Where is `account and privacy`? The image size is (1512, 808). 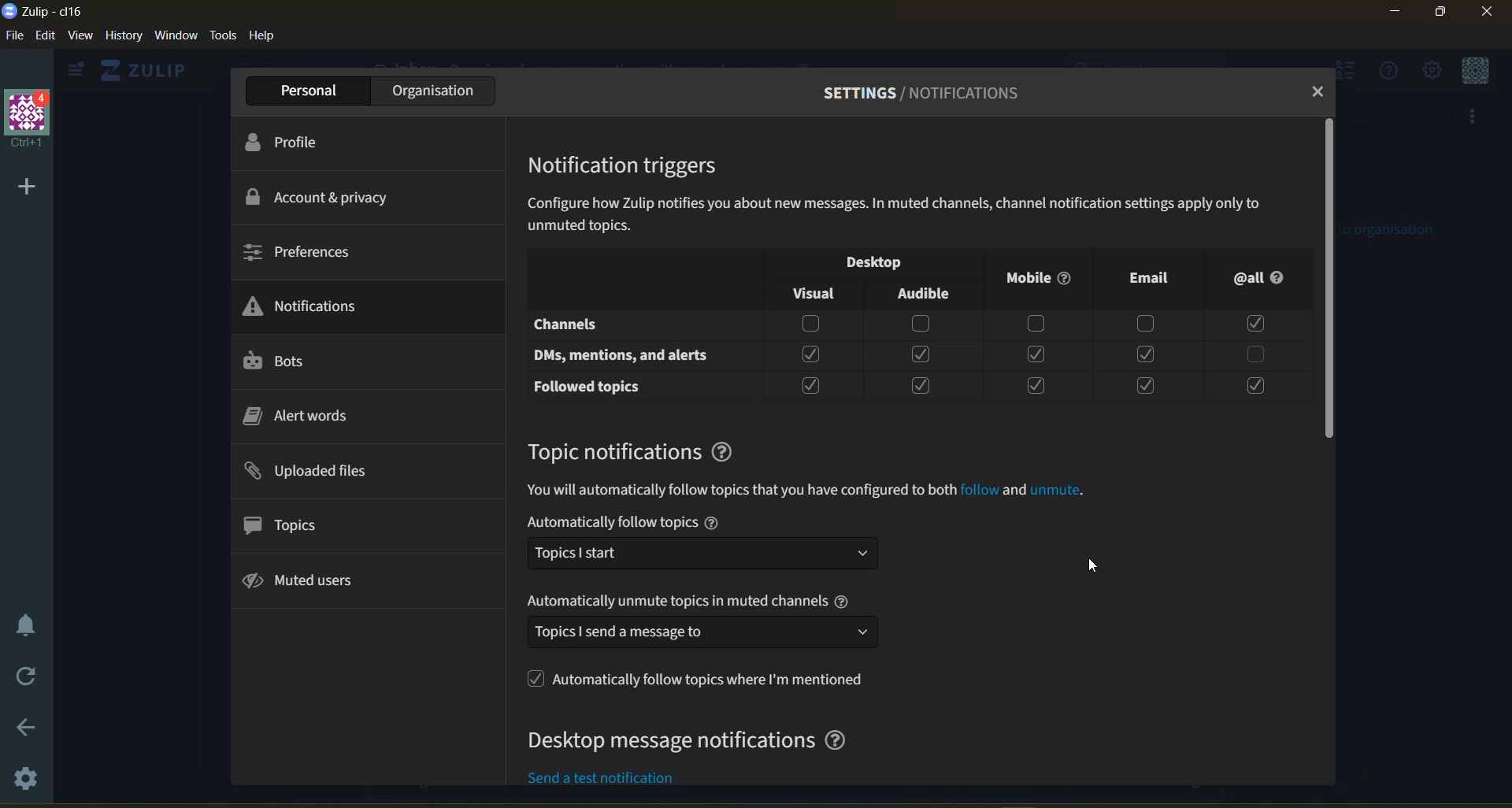 account and privacy is located at coordinates (329, 198).